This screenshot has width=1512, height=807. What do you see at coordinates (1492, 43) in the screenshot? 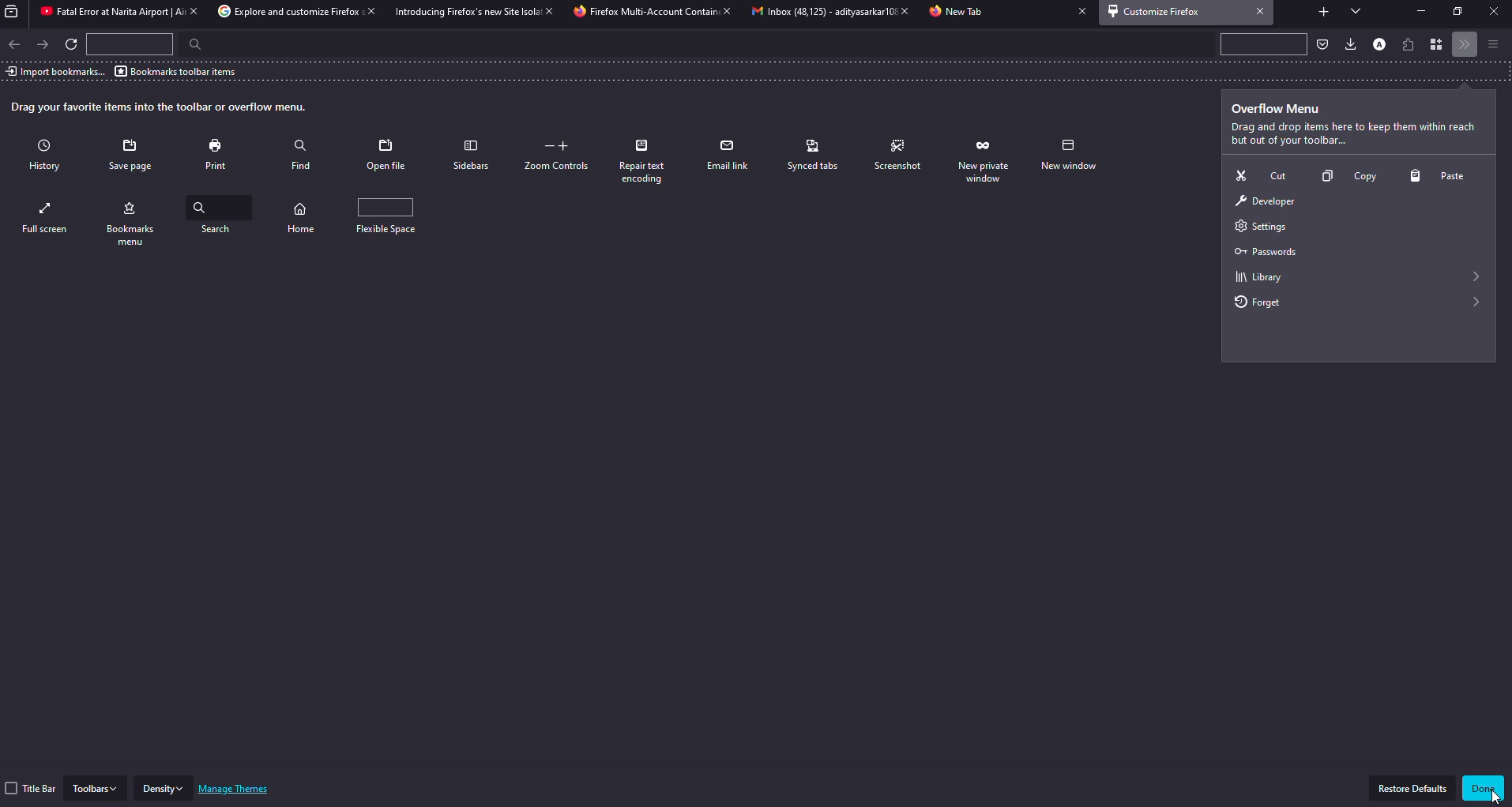
I see `menu` at bounding box center [1492, 43].